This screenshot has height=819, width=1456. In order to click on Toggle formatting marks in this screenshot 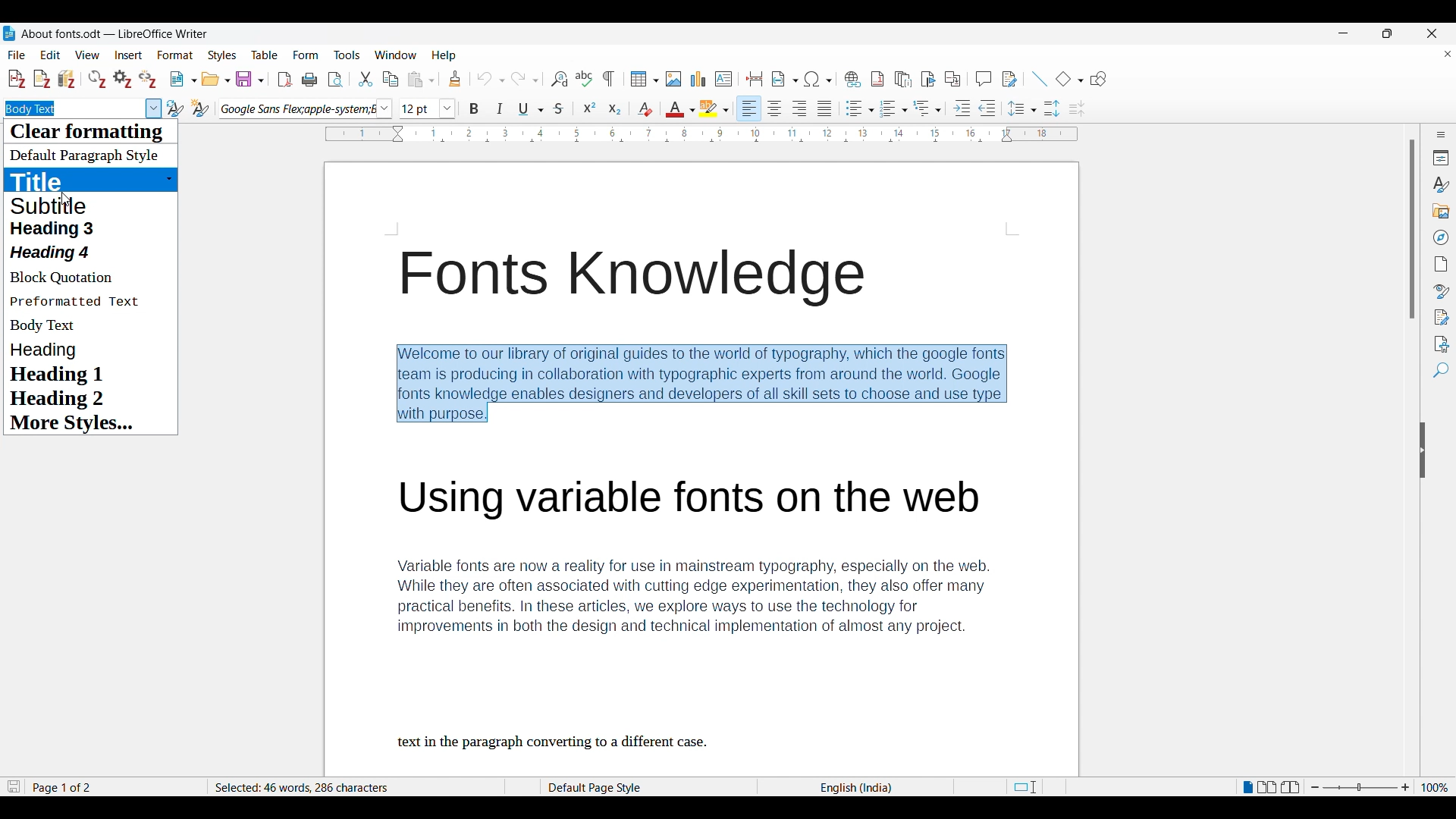, I will do `click(609, 79)`.